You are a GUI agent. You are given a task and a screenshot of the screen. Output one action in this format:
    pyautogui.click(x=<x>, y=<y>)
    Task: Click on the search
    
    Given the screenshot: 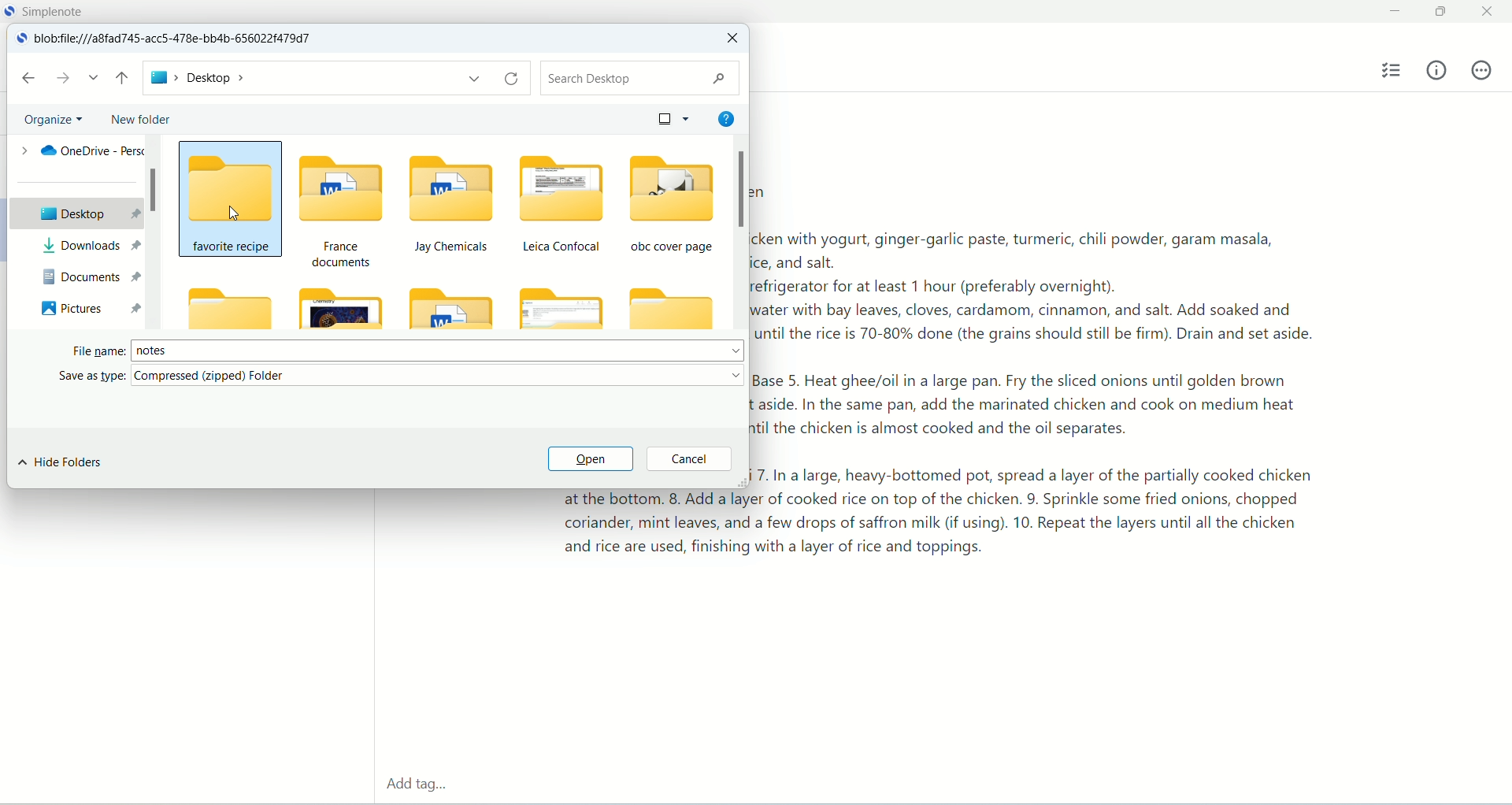 What is the action you would take?
    pyautogui.click(x=637, y=78)
    